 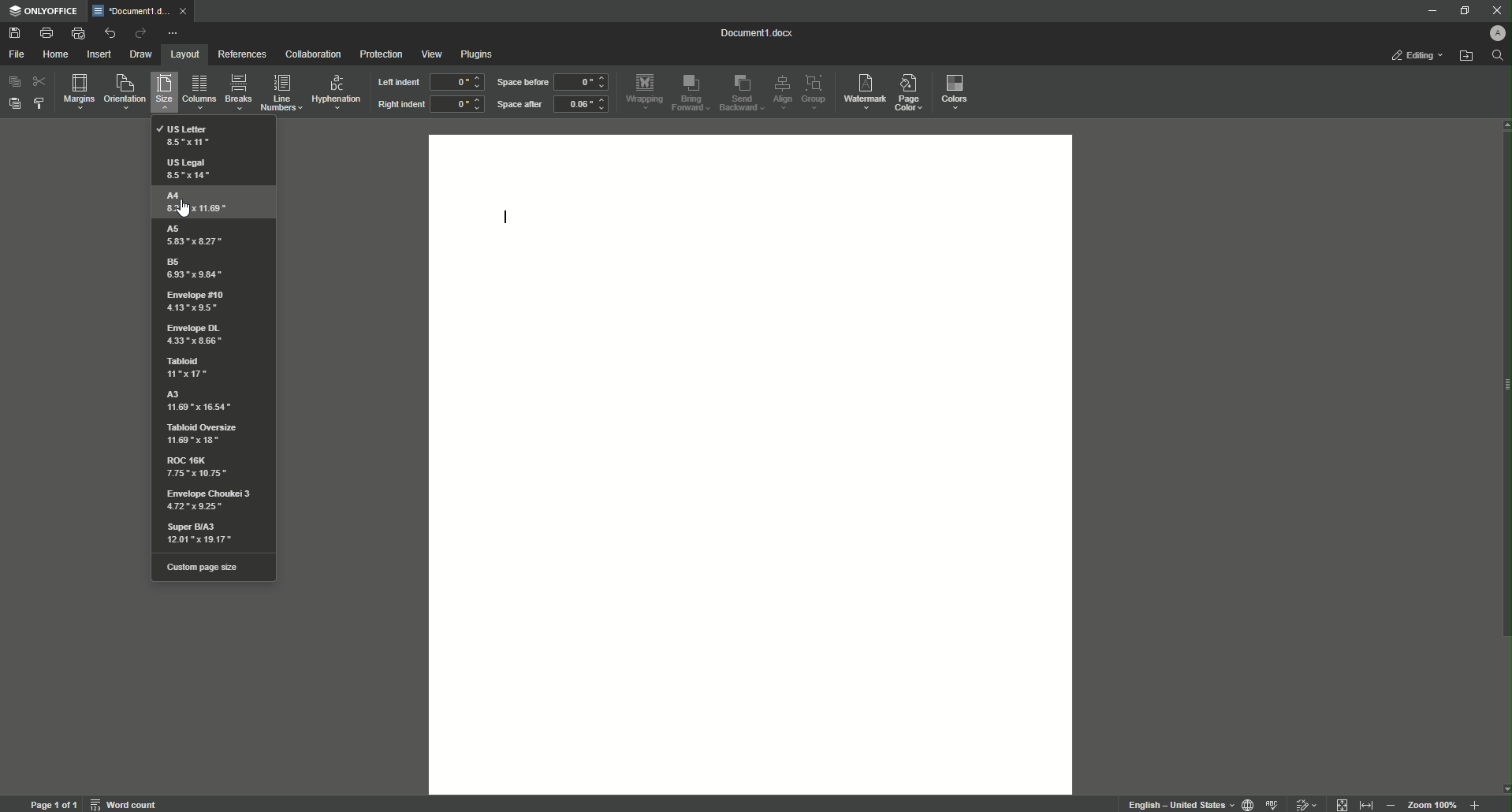 I want to click on Wrapping, so click(x=644, y=90).